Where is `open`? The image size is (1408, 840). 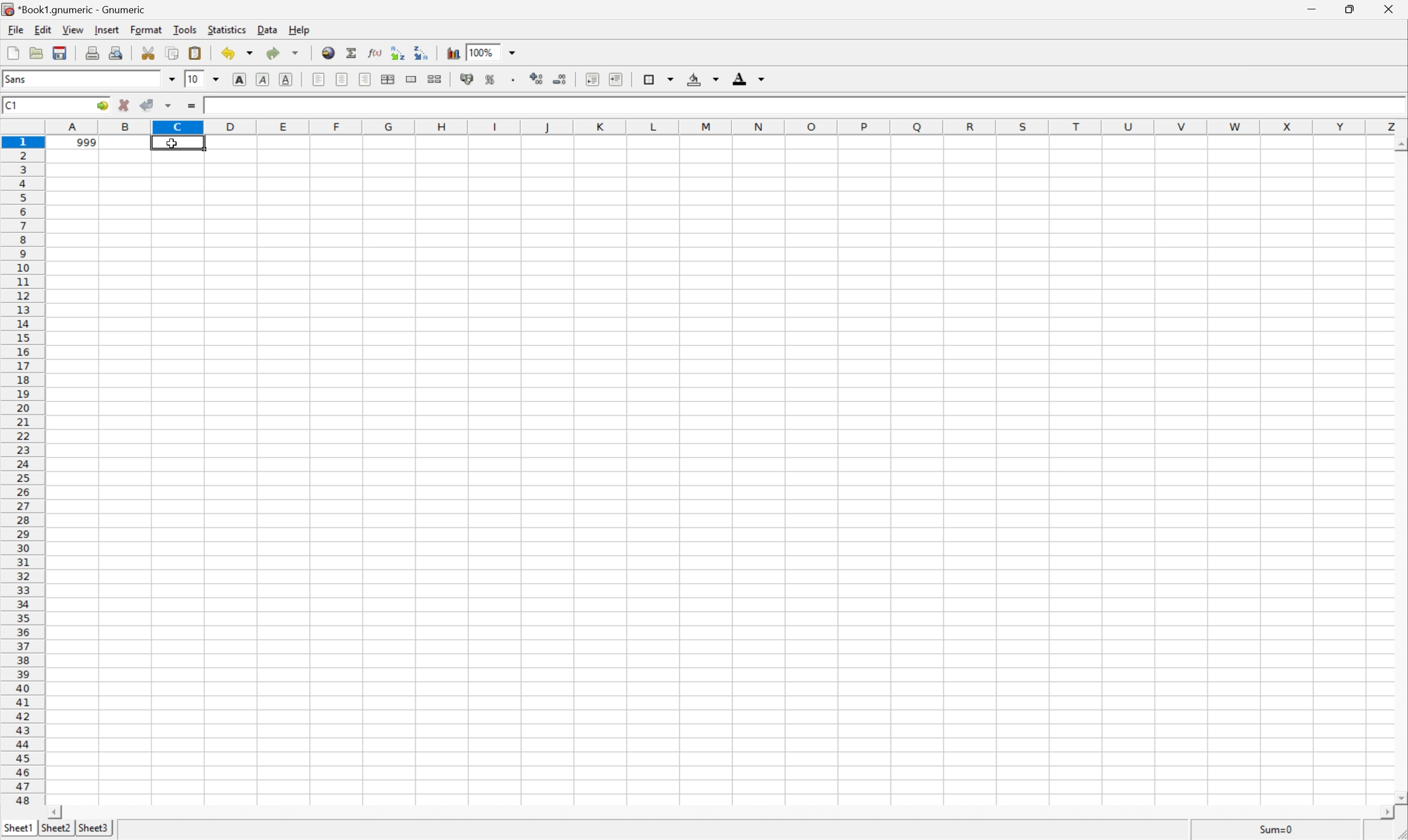
open is located at coordinates (36, 51).